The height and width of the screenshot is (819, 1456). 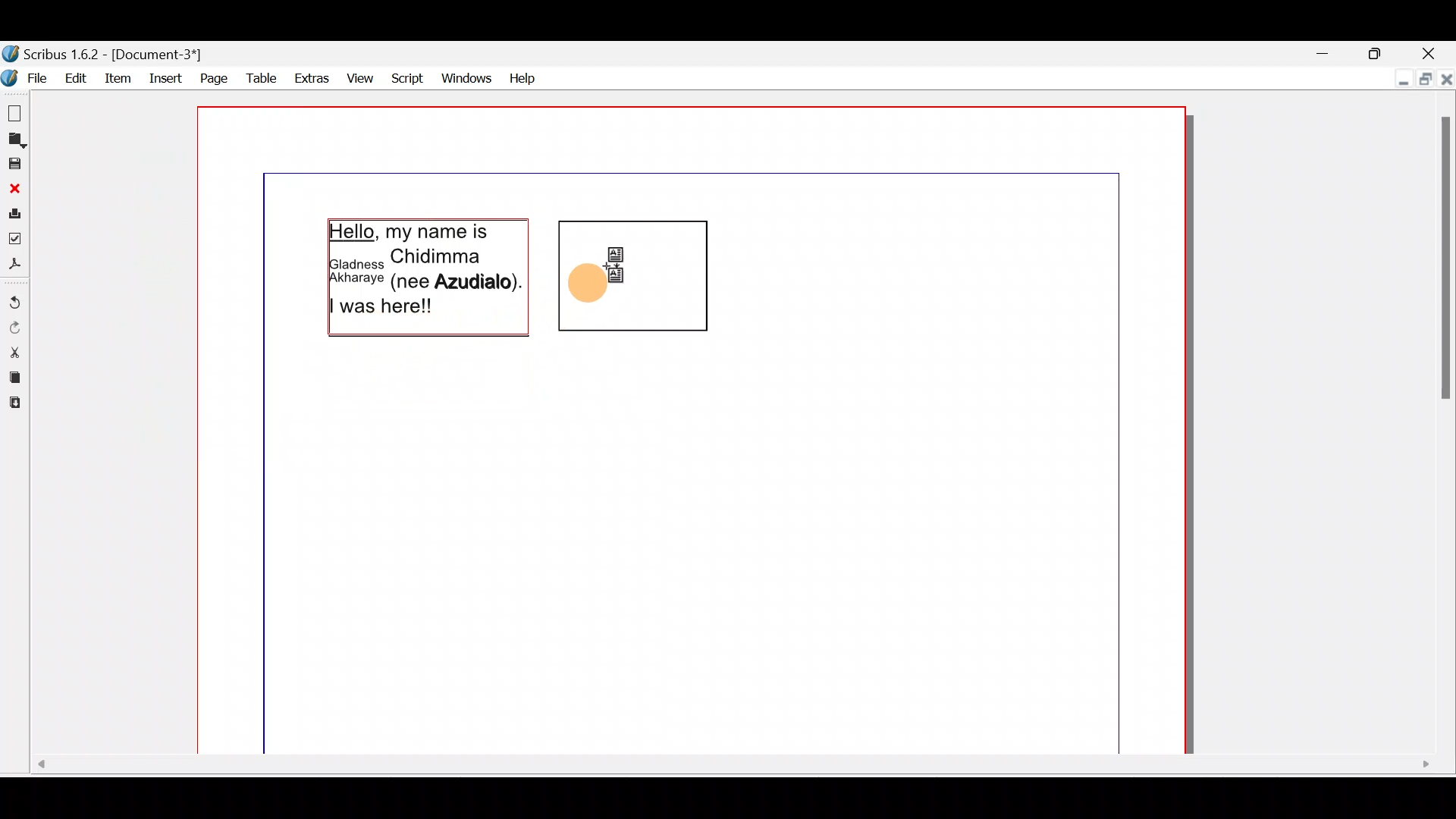 I want to click on Minimise, so click(x=1400, y=76).